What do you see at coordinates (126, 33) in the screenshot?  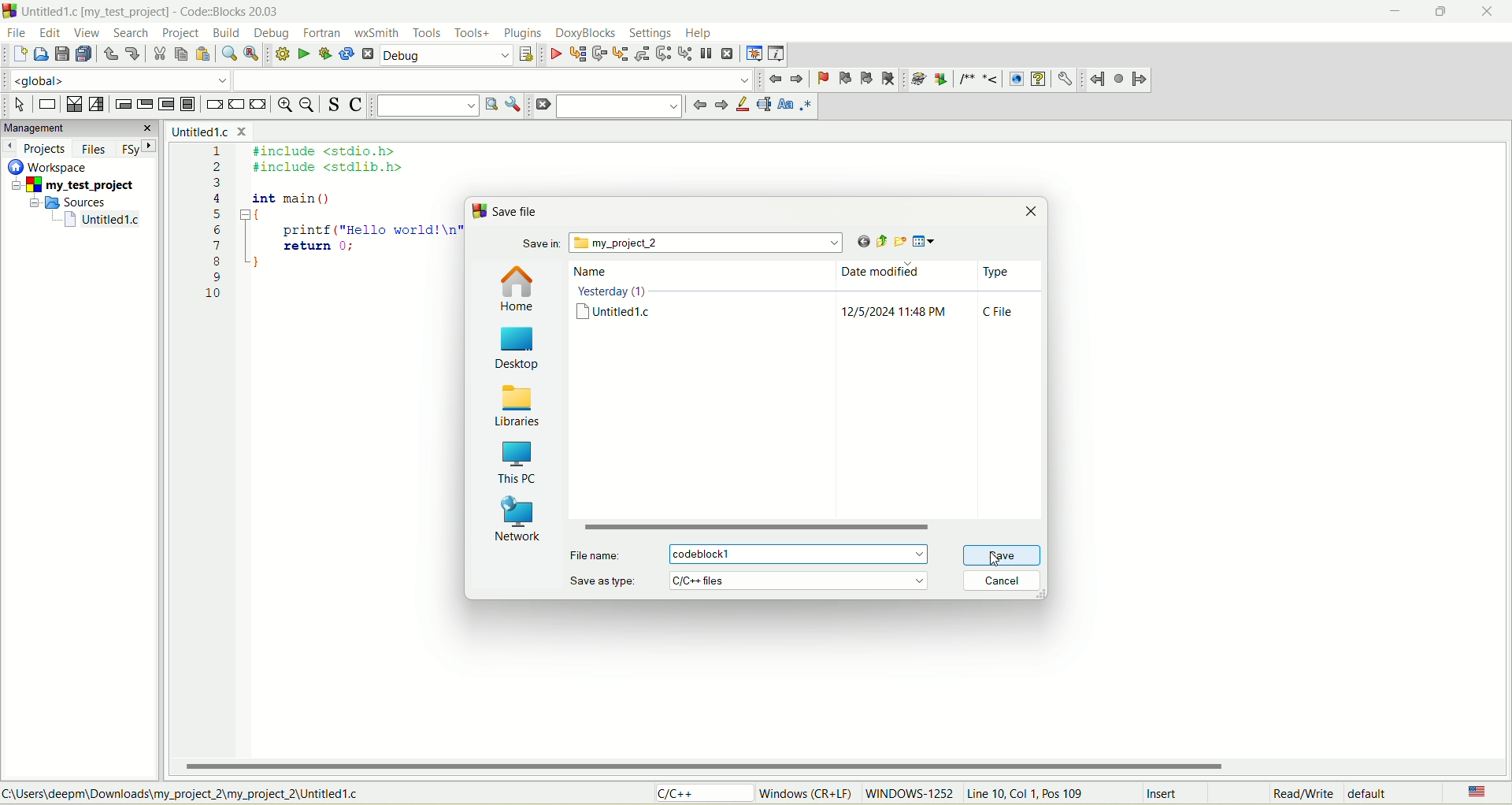 I see `search` at bounding box center [126, 33].